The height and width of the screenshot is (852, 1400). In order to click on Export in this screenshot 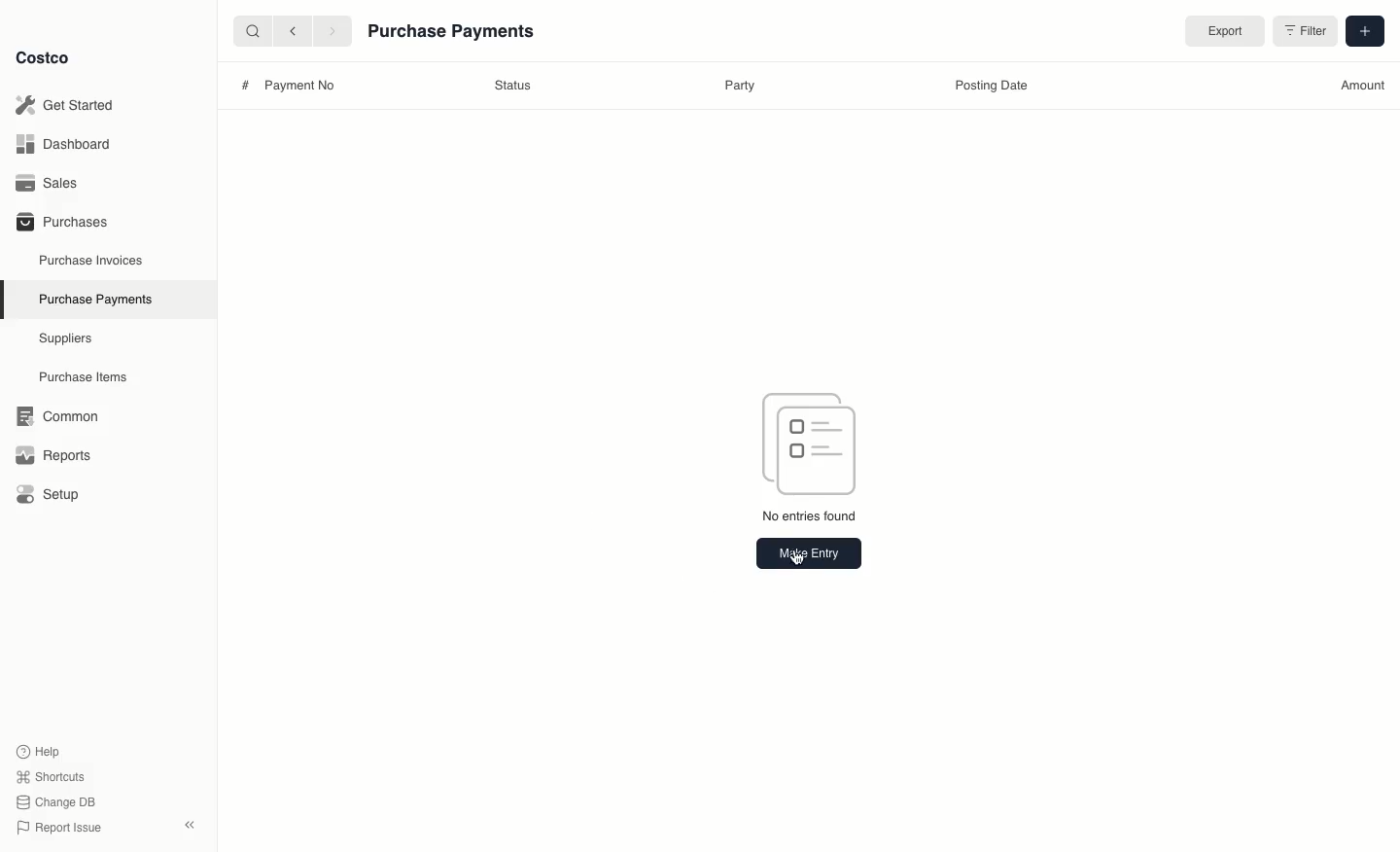, I will do `click(1221, 32)`.